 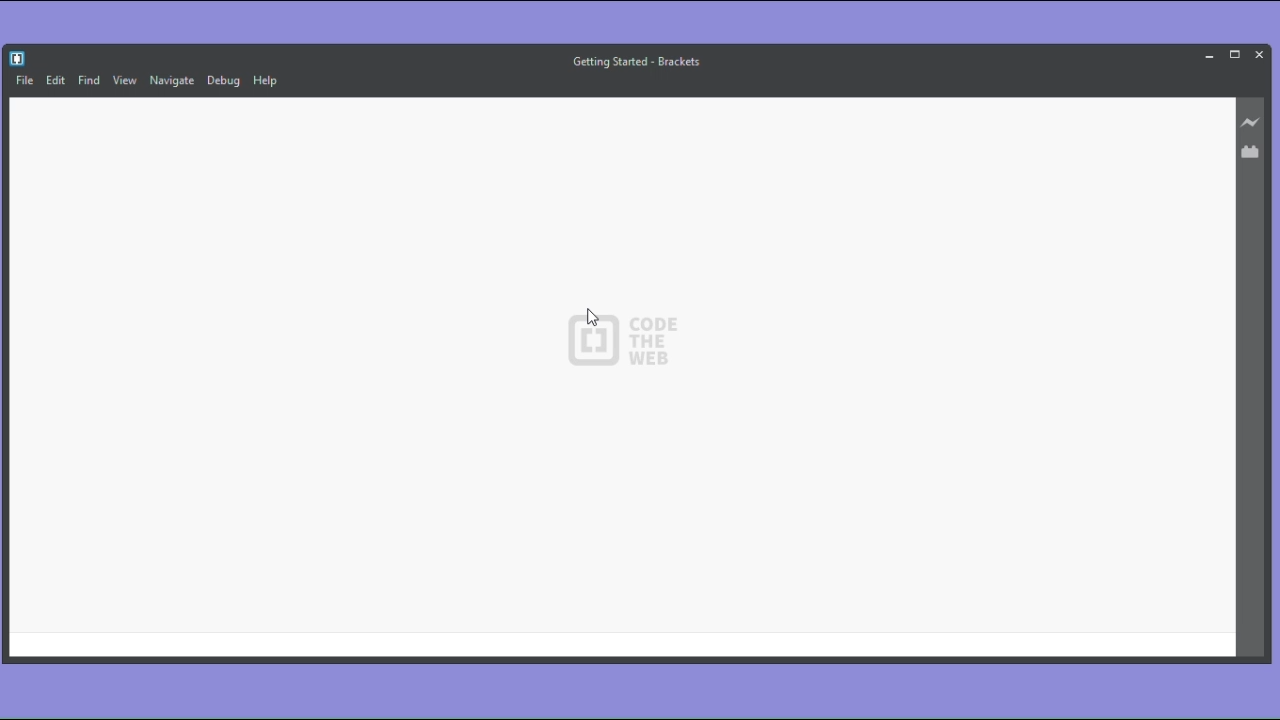 What do you see at coordinates (622, 344) in the screenshot?
I see `CODE THE WEB - logo` at bounding box center [622, 344].